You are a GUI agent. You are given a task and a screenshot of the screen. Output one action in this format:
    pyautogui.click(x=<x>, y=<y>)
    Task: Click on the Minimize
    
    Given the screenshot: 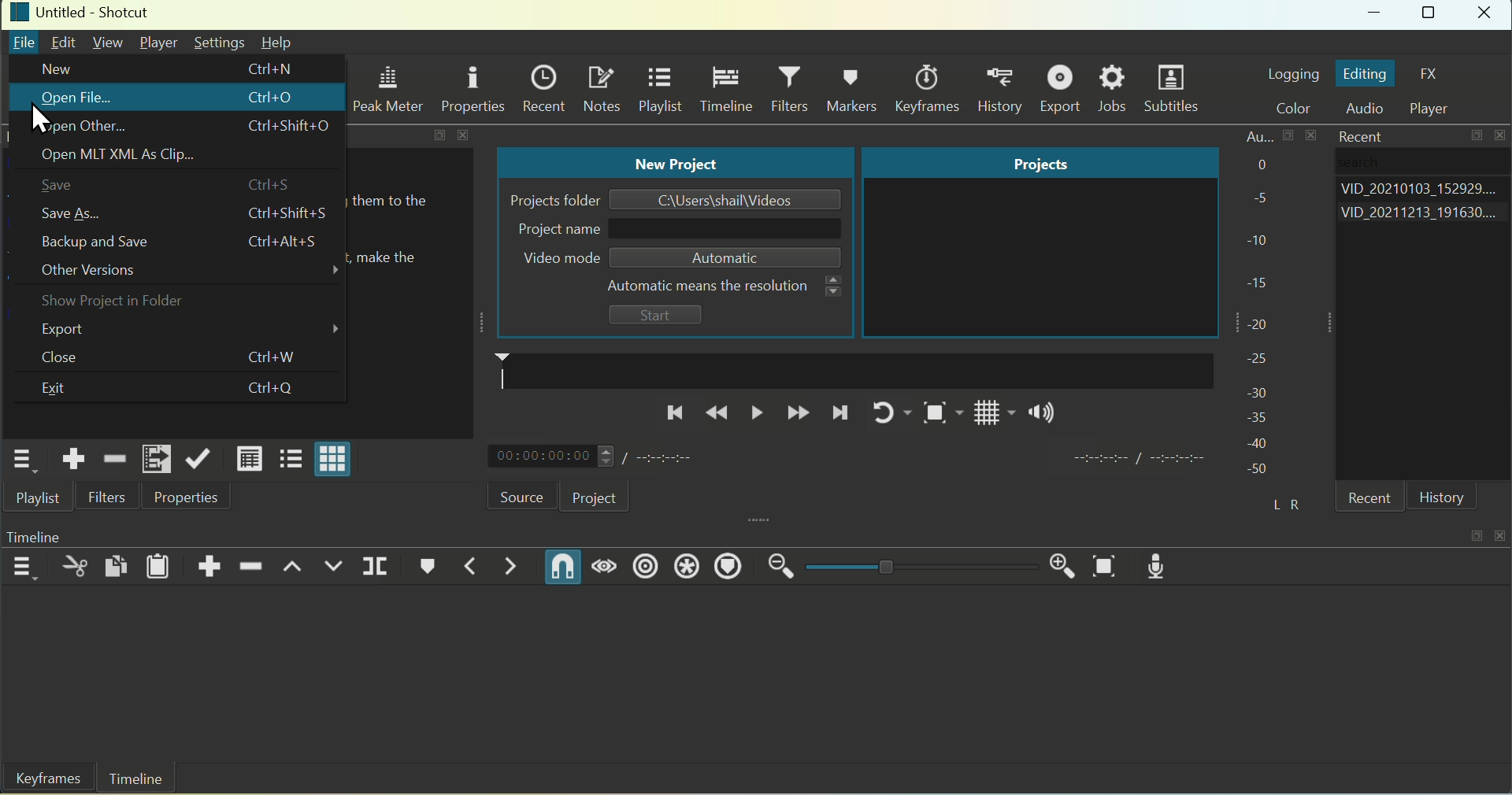 What is the action you would take?
    pyautogui.click(x=1377, y=16)
    